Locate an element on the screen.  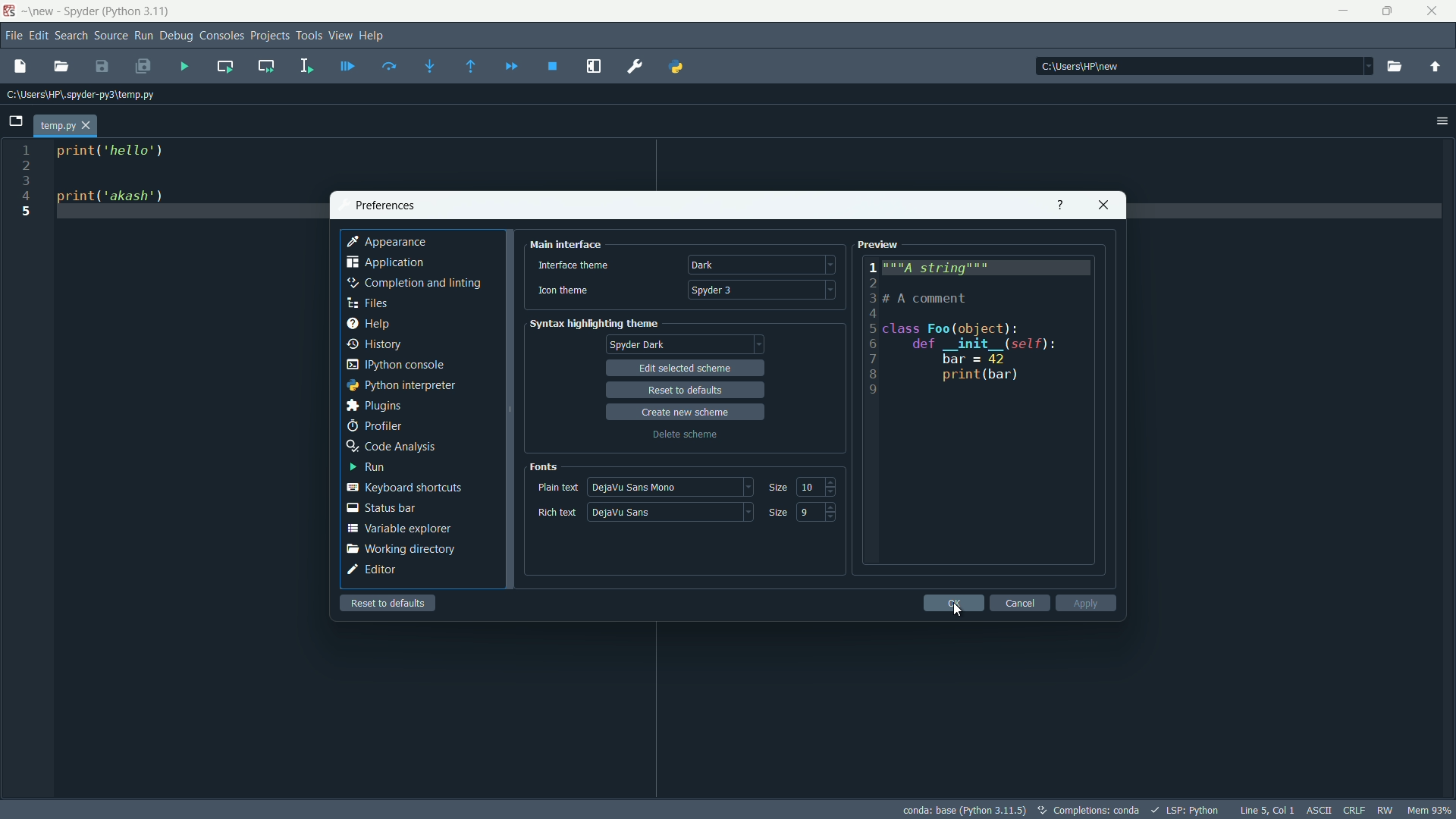
icon theme is located at coordinates (562, 290).